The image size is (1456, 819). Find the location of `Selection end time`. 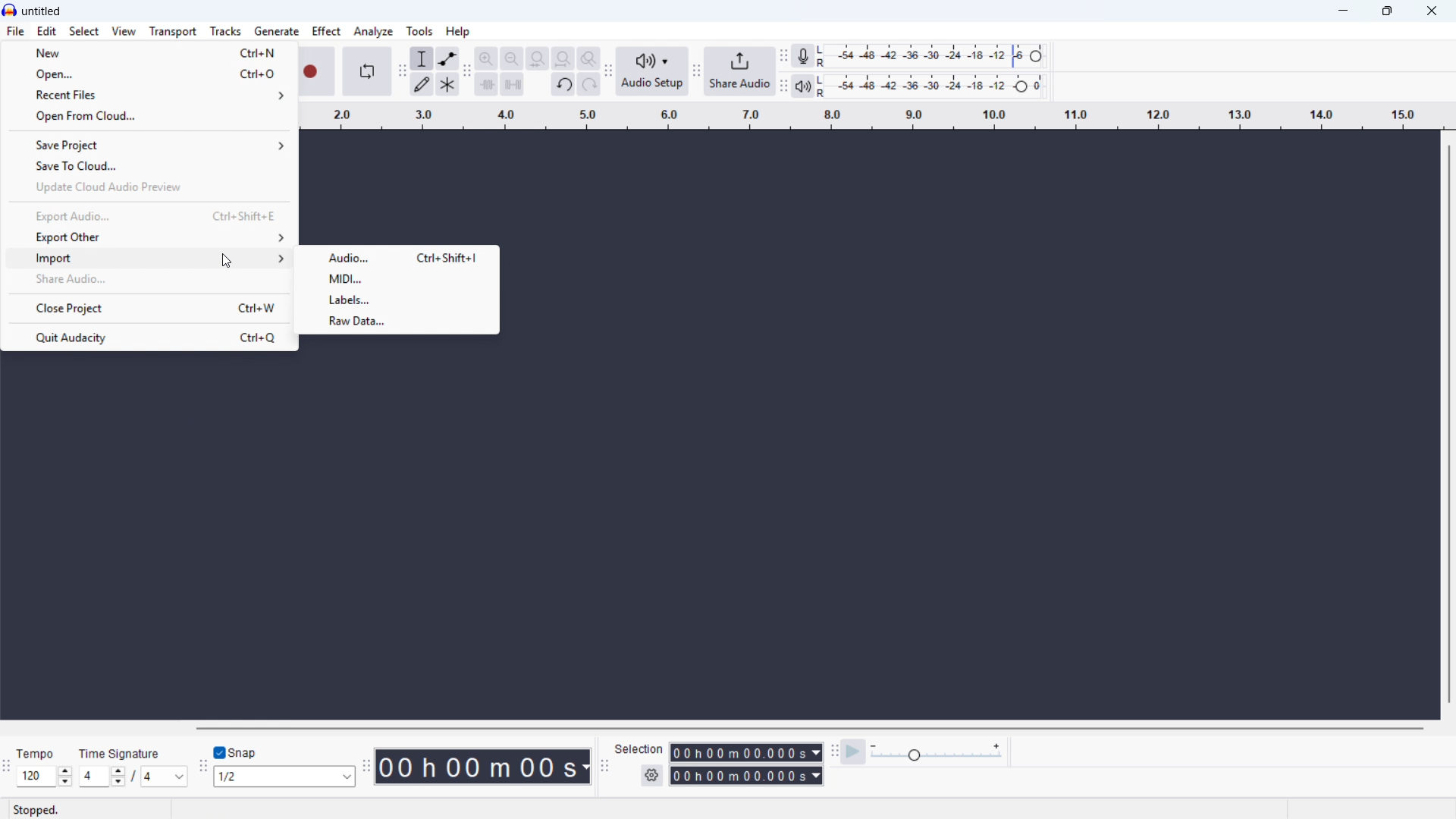

Selection end time is located at coordinates (745, 776).